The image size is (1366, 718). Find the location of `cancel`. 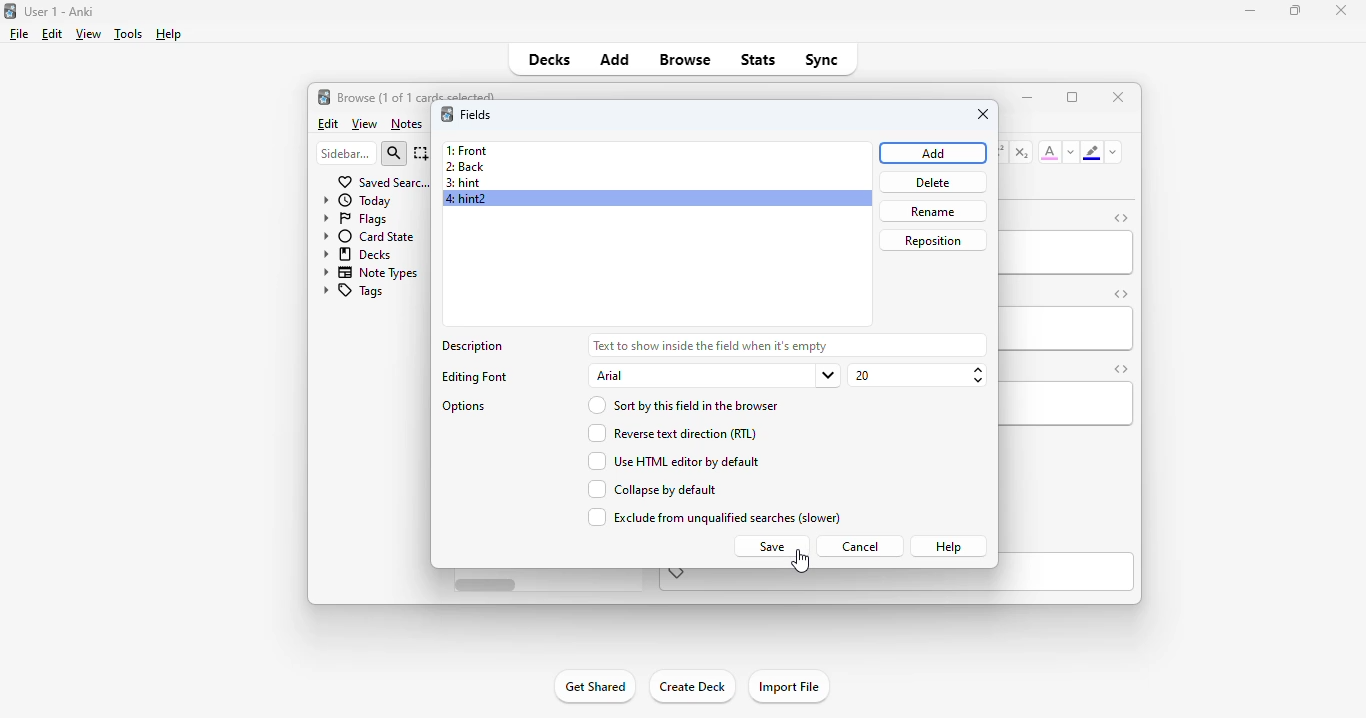

cancel is located at coordinates (859, 547).